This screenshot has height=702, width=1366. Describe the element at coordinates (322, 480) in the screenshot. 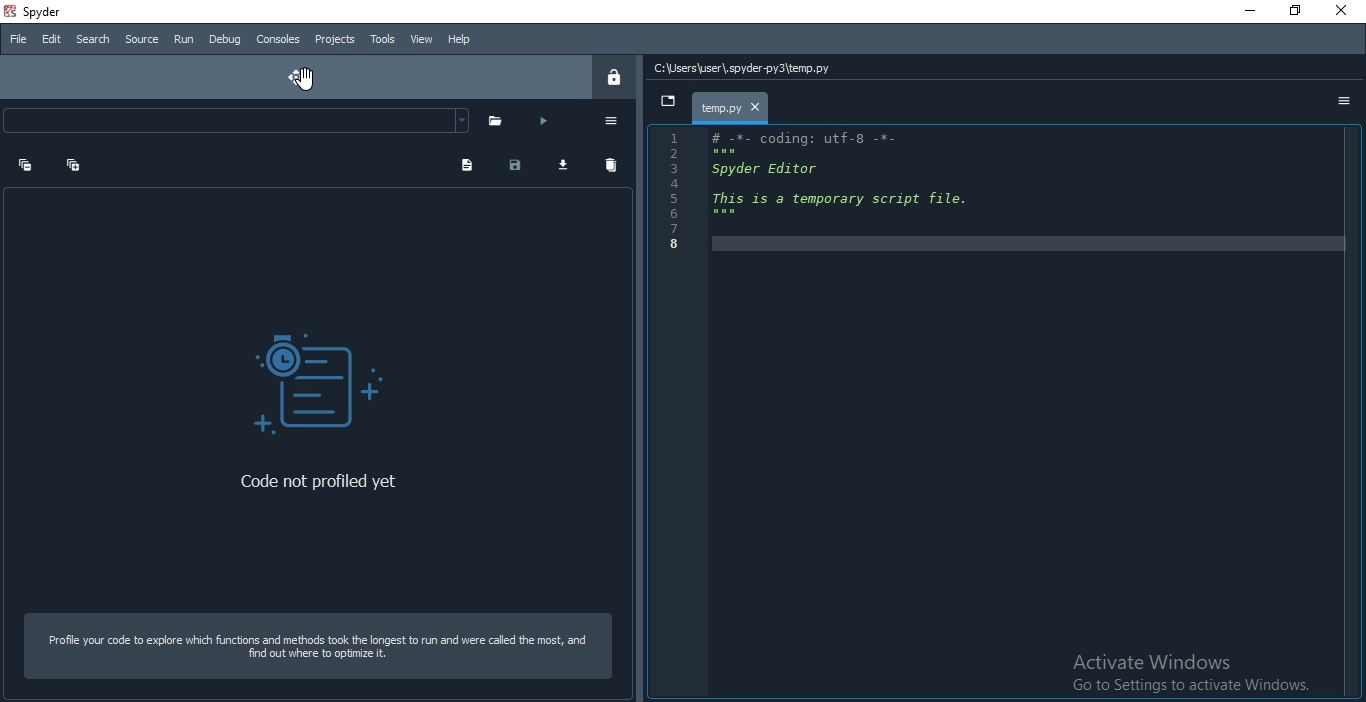

I see `Code not profiled yet` at that location.